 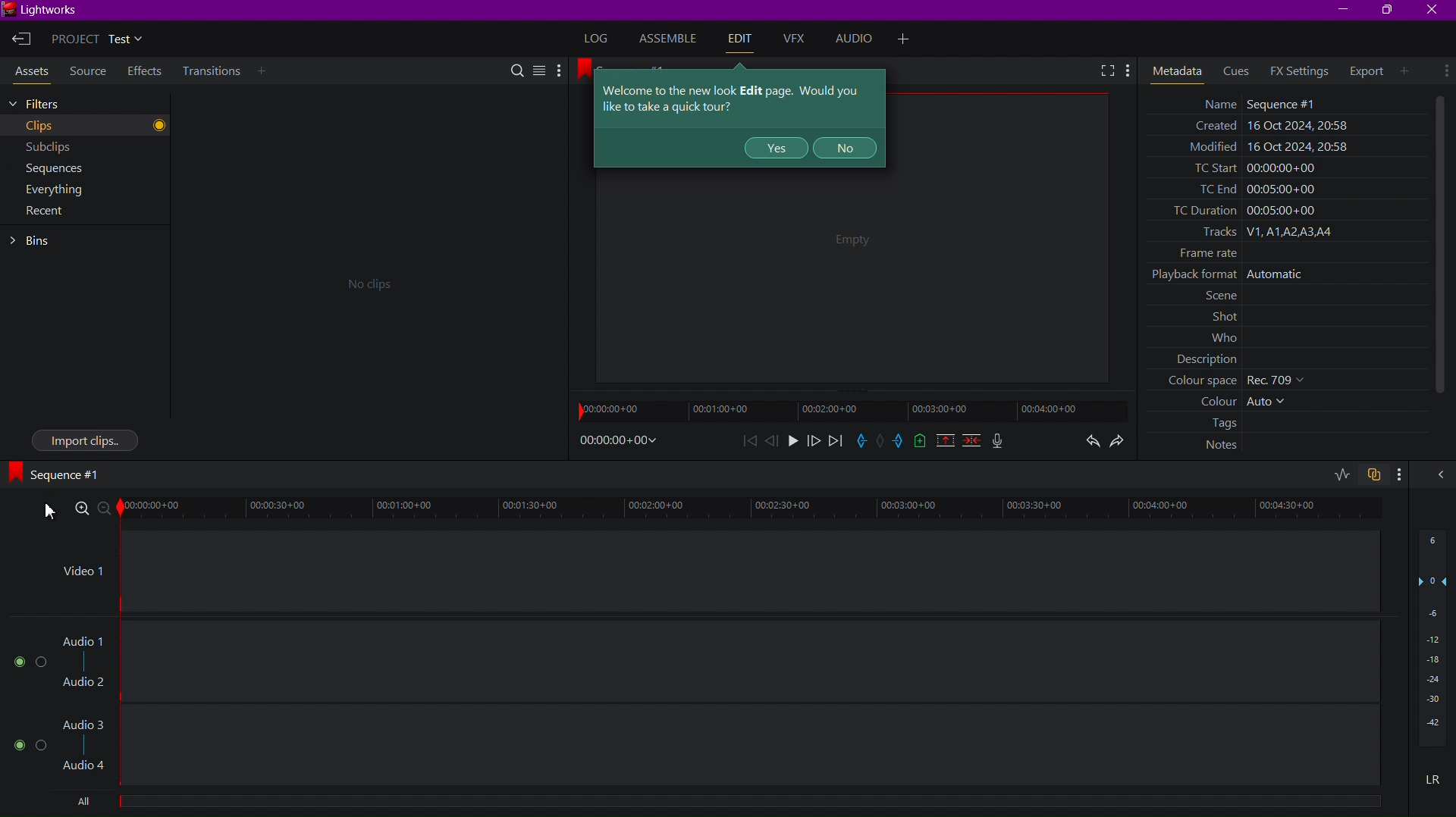 I want to click on Log, so click(x=594, y=40).